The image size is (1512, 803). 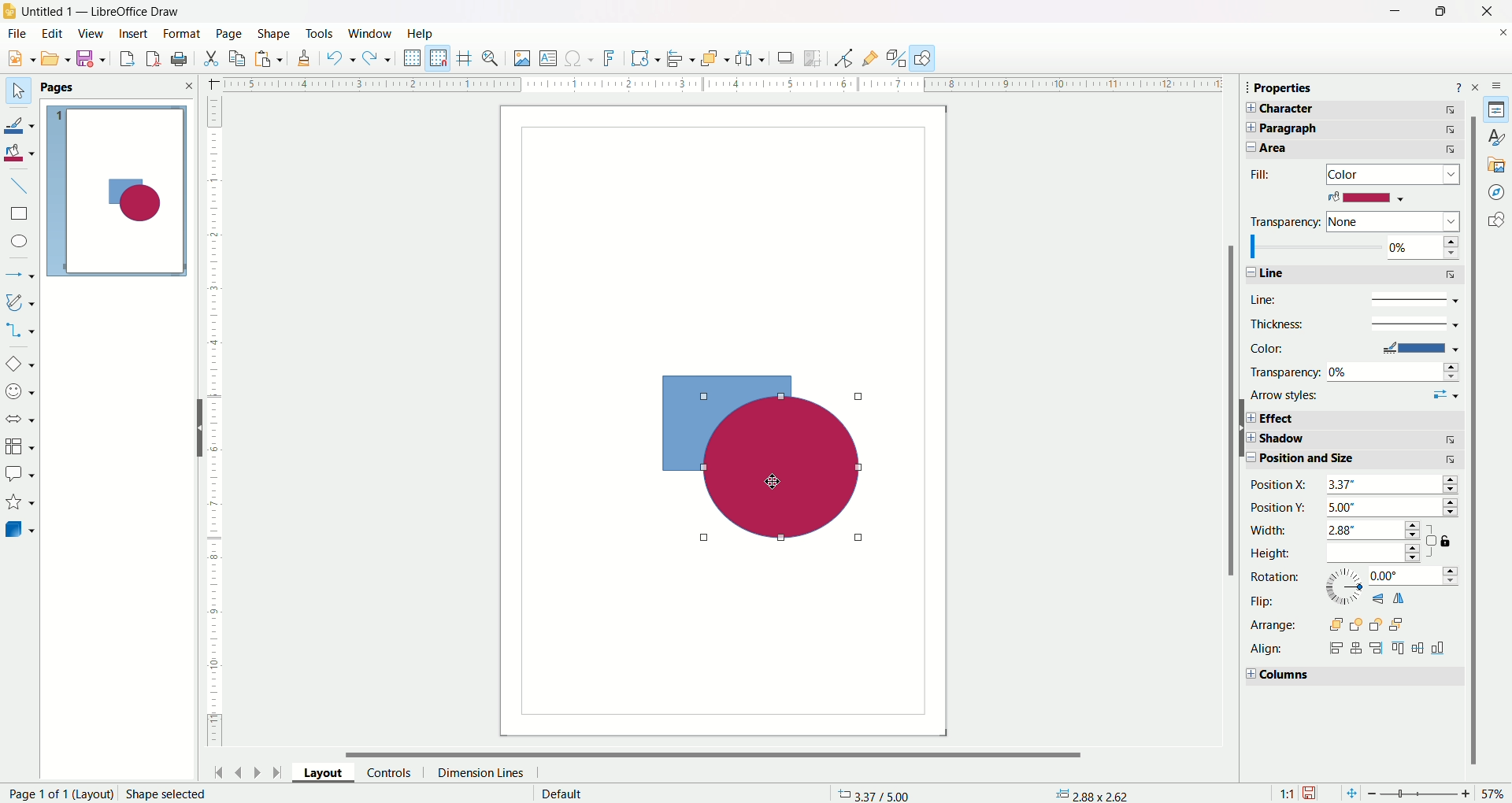 I want to click on columns, so click(x=1350, y=677).